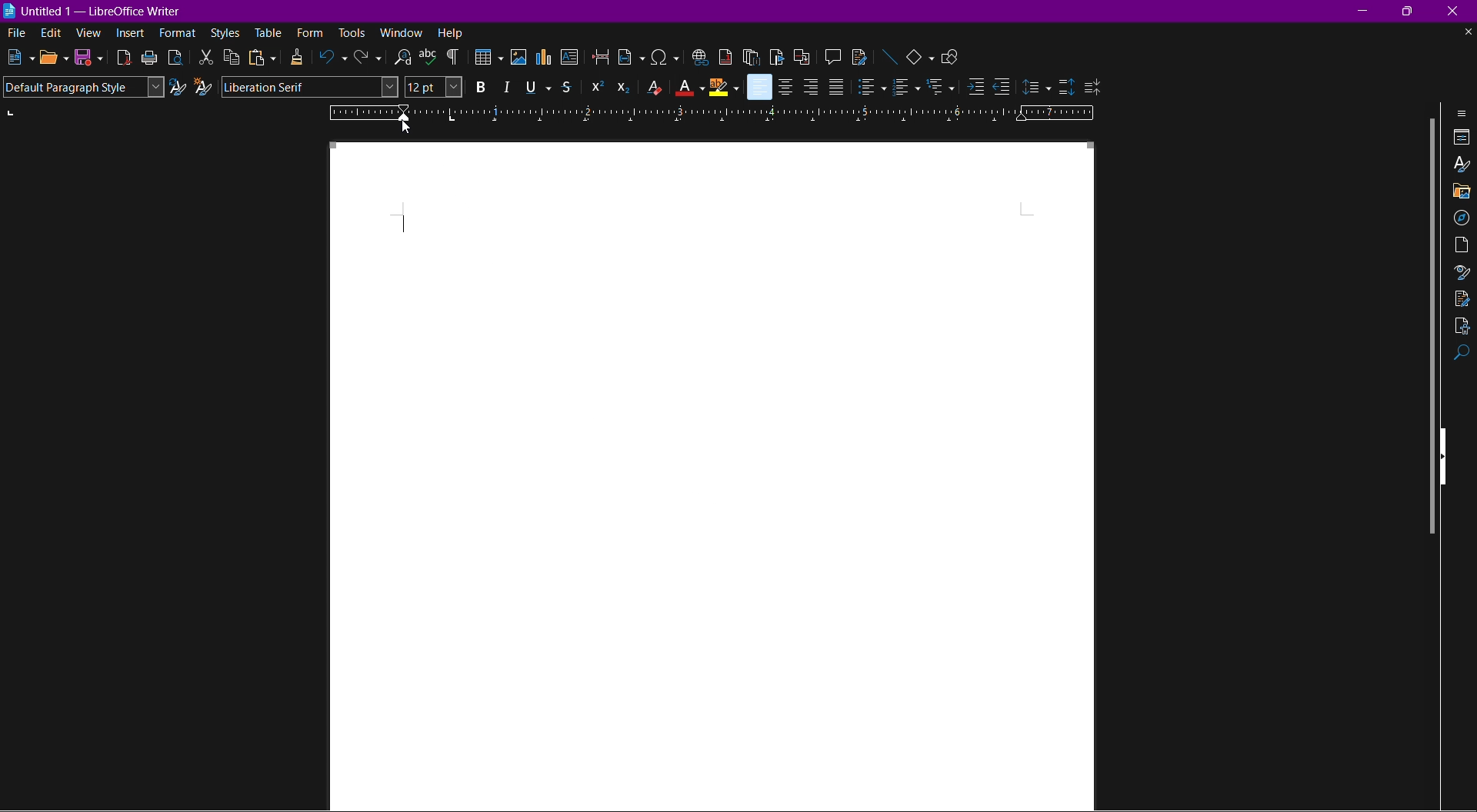 The height and width of the screenshot is (812, 1477). What do you see at coordinates (715, 113) in the screenshot?
I see `Scale` at bounding box center [715, 113].